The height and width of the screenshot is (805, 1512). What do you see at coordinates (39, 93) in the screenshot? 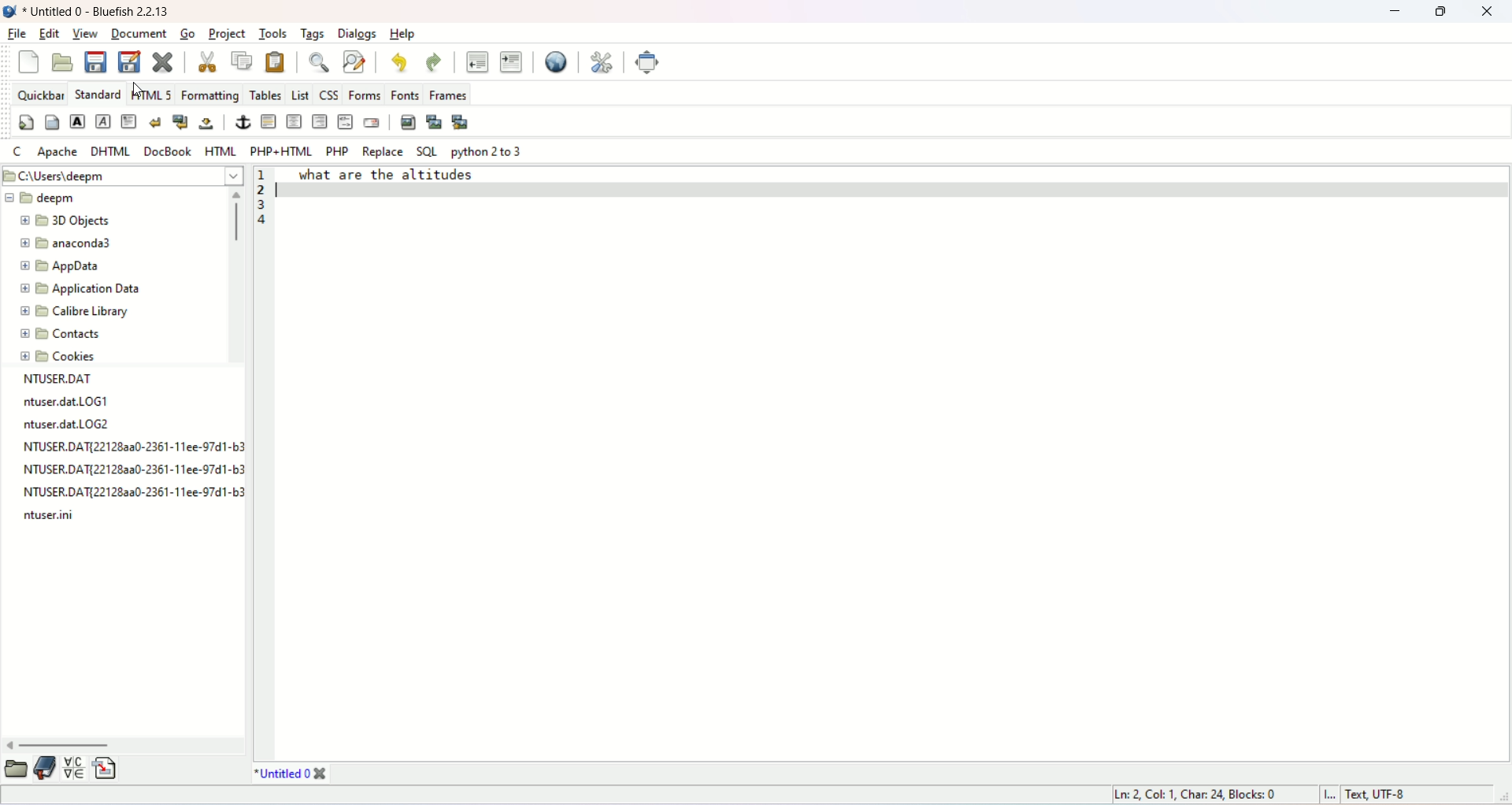
I see `quickbar` at bounding box center [39, 93].